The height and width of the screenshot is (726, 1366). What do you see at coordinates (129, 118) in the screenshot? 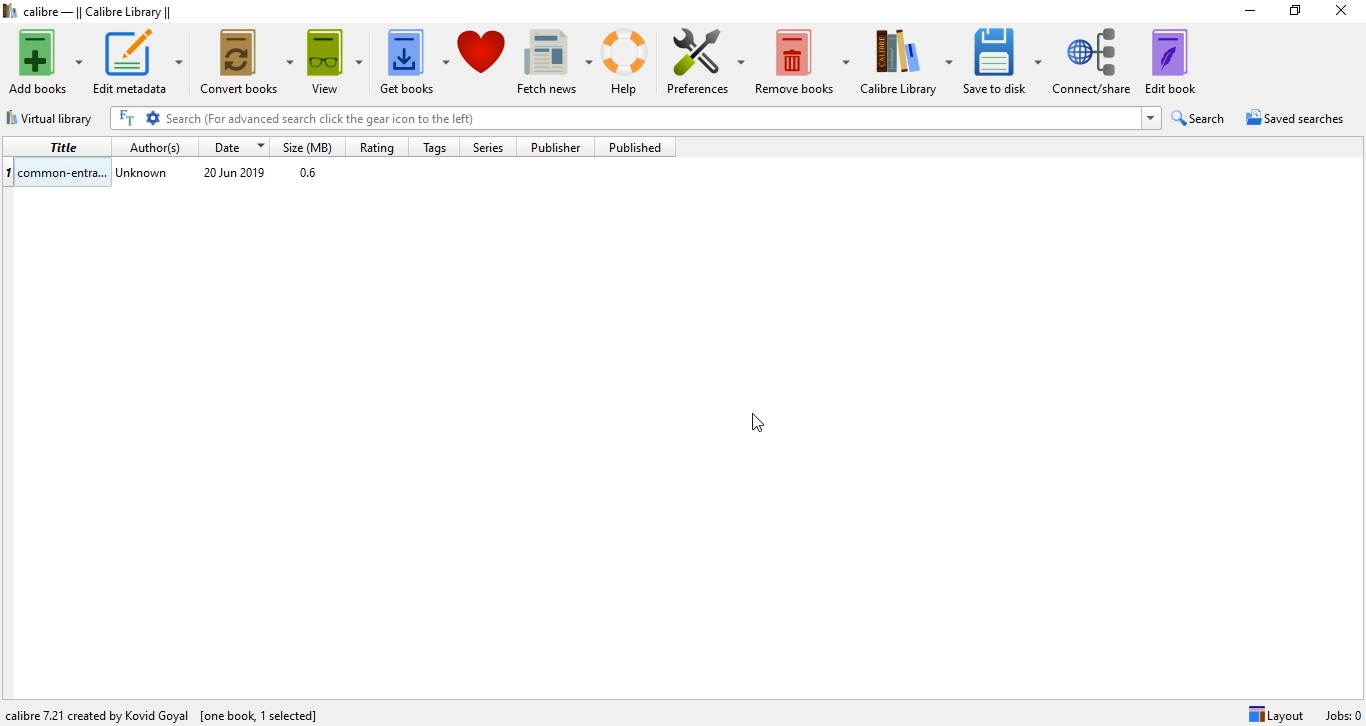
I see `full text search` at bounding box center [129, 118].